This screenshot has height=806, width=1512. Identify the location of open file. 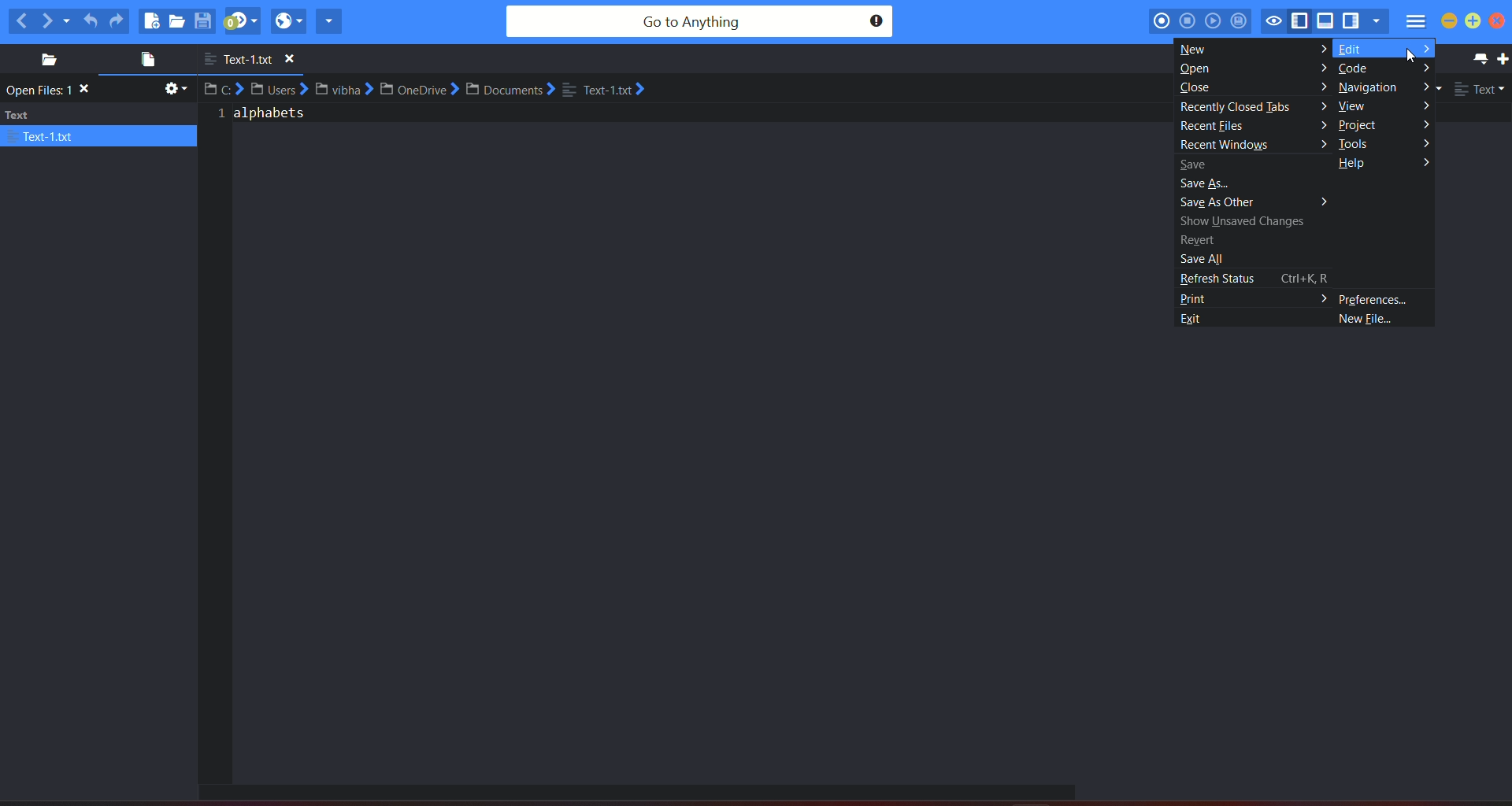
(143, 61).